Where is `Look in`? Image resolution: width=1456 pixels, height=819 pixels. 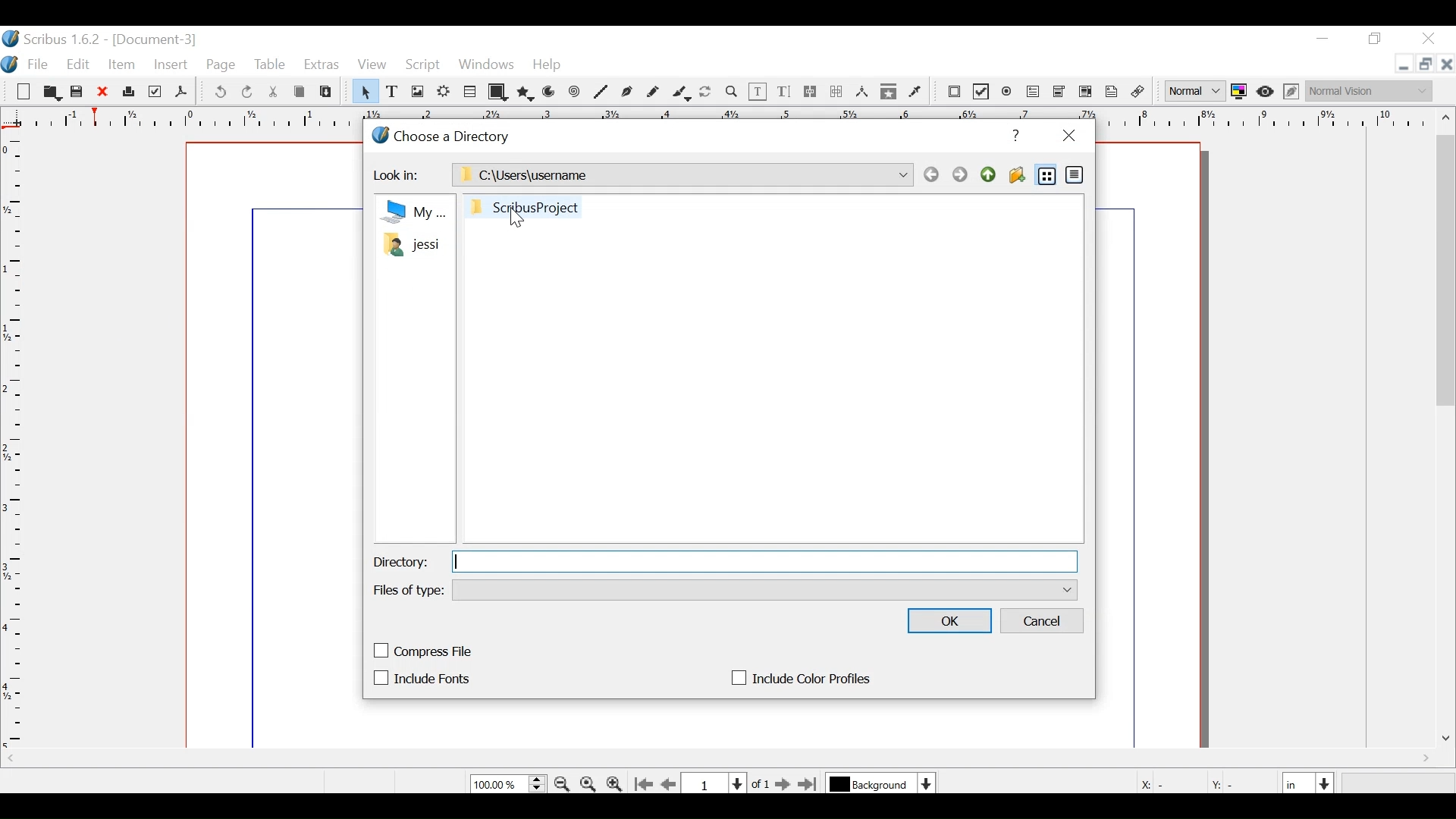
Look in is located at coordinates (394, 175).